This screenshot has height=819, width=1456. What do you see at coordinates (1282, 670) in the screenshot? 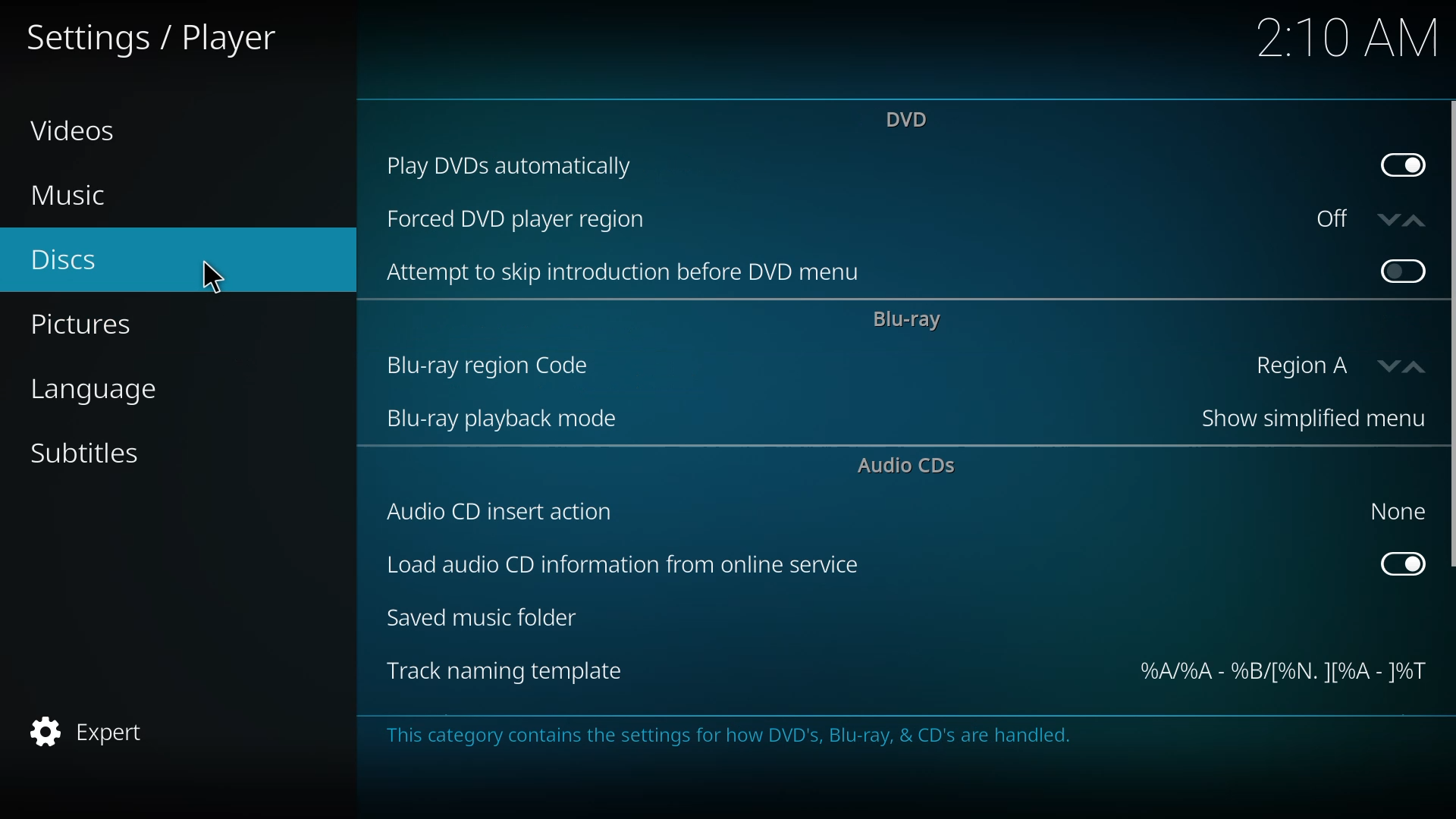
I see `template` at bounding box center [1282, 670].